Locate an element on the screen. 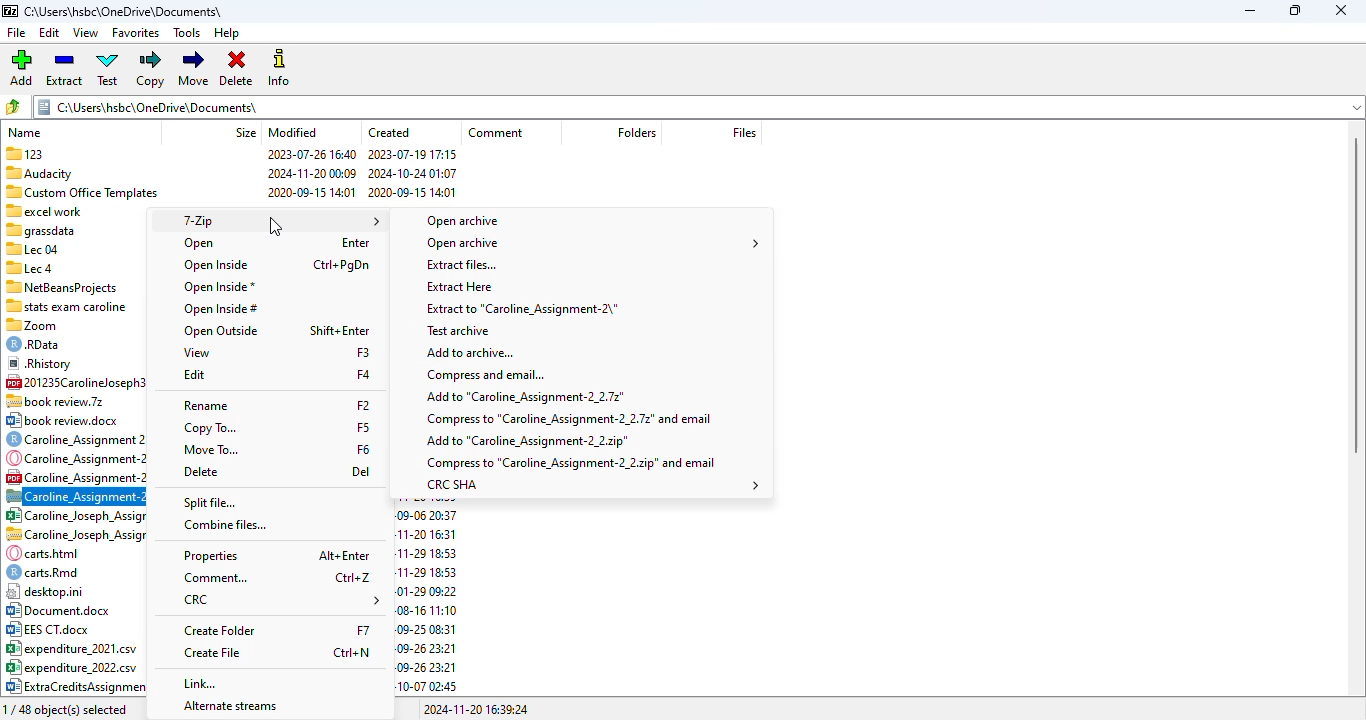 The image size is (1366, 720). 208 Zoom 2022-01-20 10:44 2020-10-02 00:42 is located at coordinates (72, 326).